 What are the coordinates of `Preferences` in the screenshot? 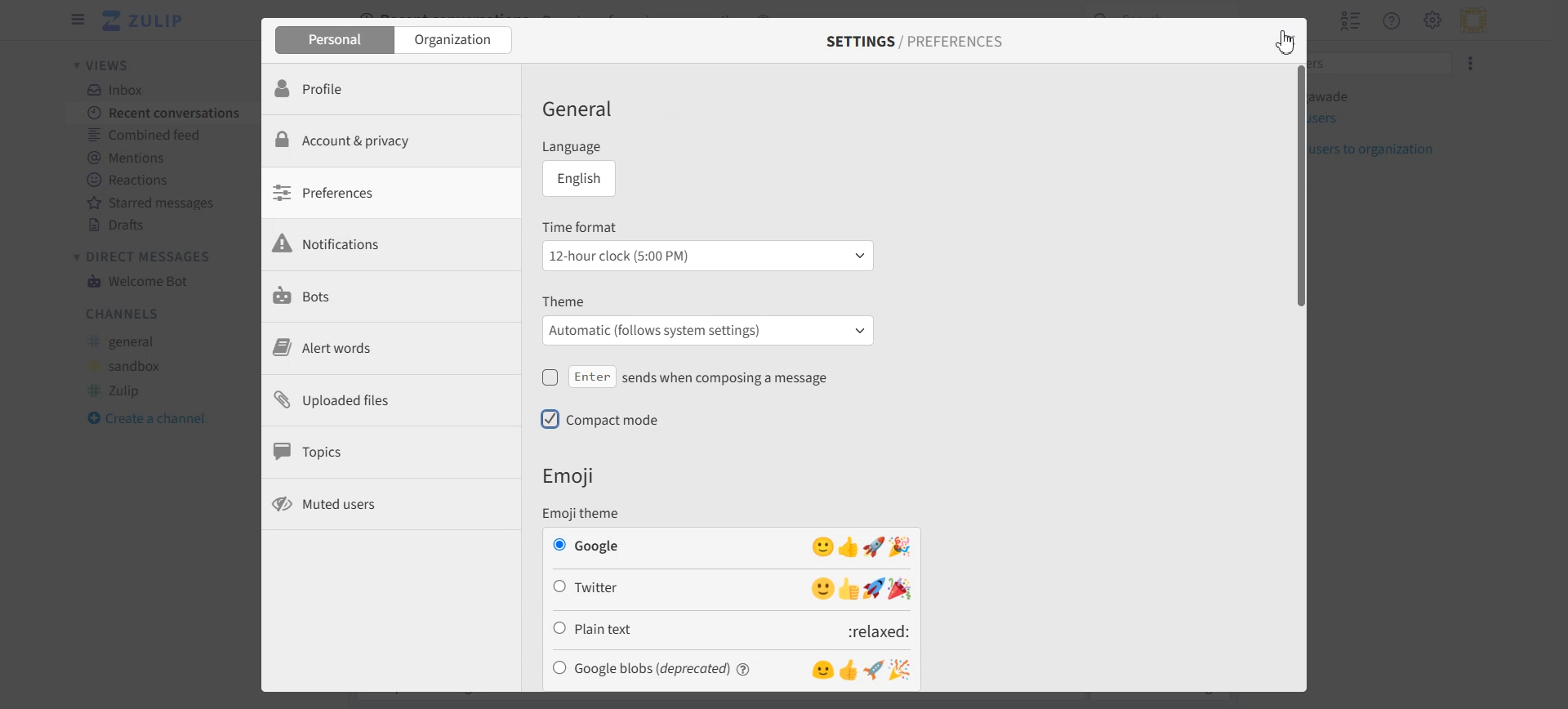 It's located at (390, 198).